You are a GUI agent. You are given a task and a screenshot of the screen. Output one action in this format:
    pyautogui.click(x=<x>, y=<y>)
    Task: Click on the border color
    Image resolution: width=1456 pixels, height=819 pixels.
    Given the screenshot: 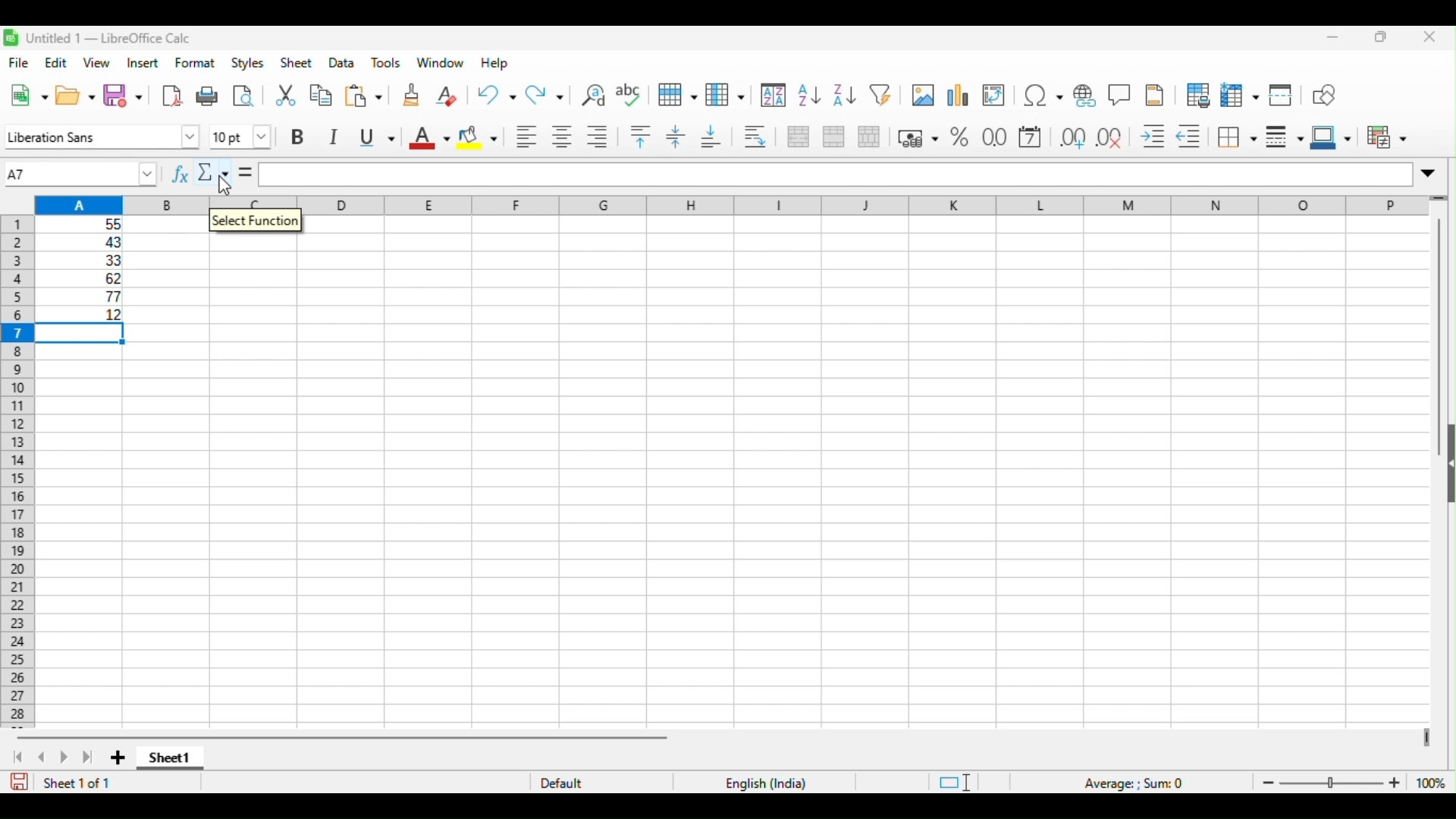 What is the action you would take?
    pyautogui.click(x=1330, y=136)
    